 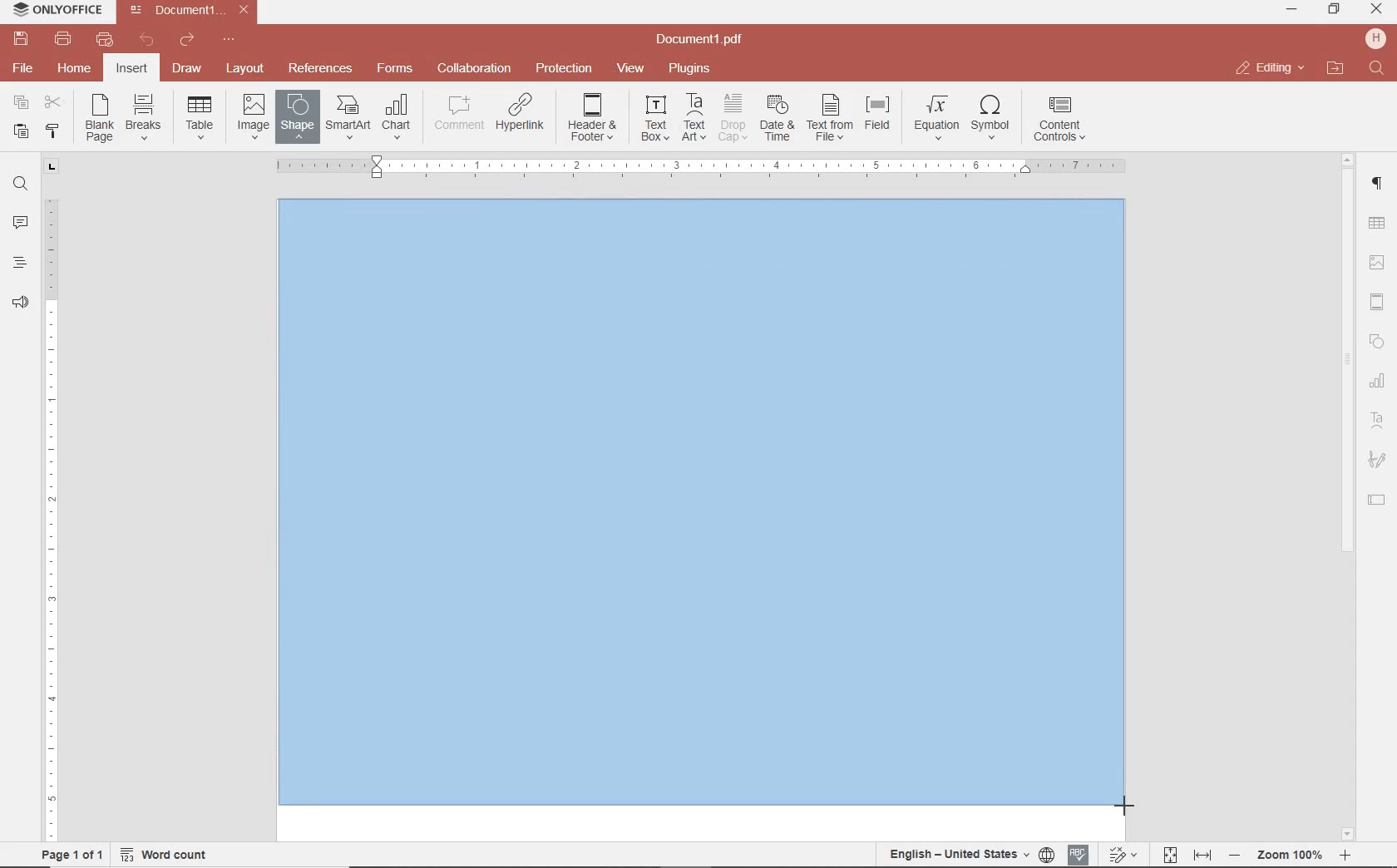 What do you see at coordinates (654, 117) in the screenshot?
I see `INSERT TEXT BOX` at bounding box center [654, 117].